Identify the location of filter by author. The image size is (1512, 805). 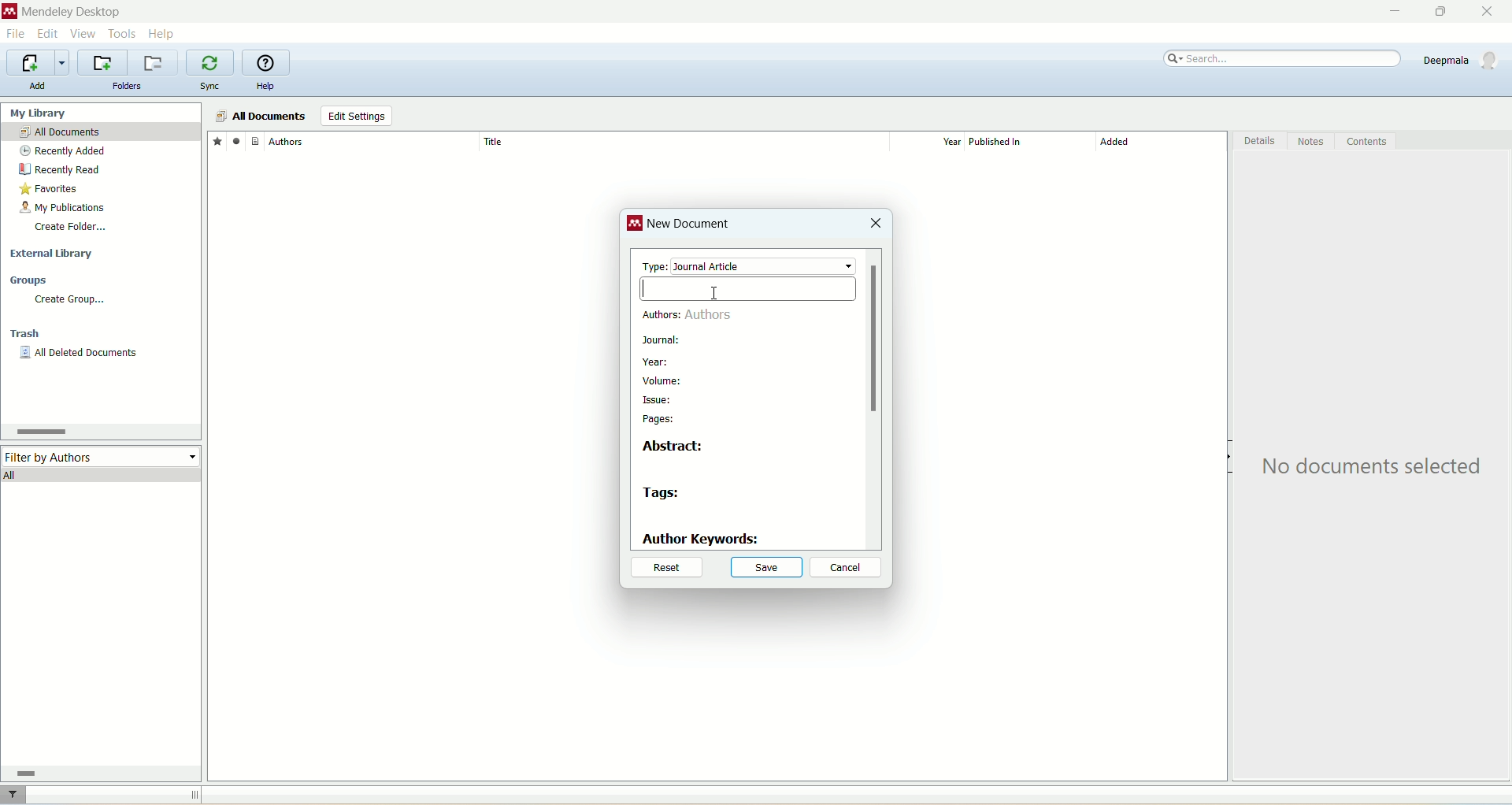
(102, 455).